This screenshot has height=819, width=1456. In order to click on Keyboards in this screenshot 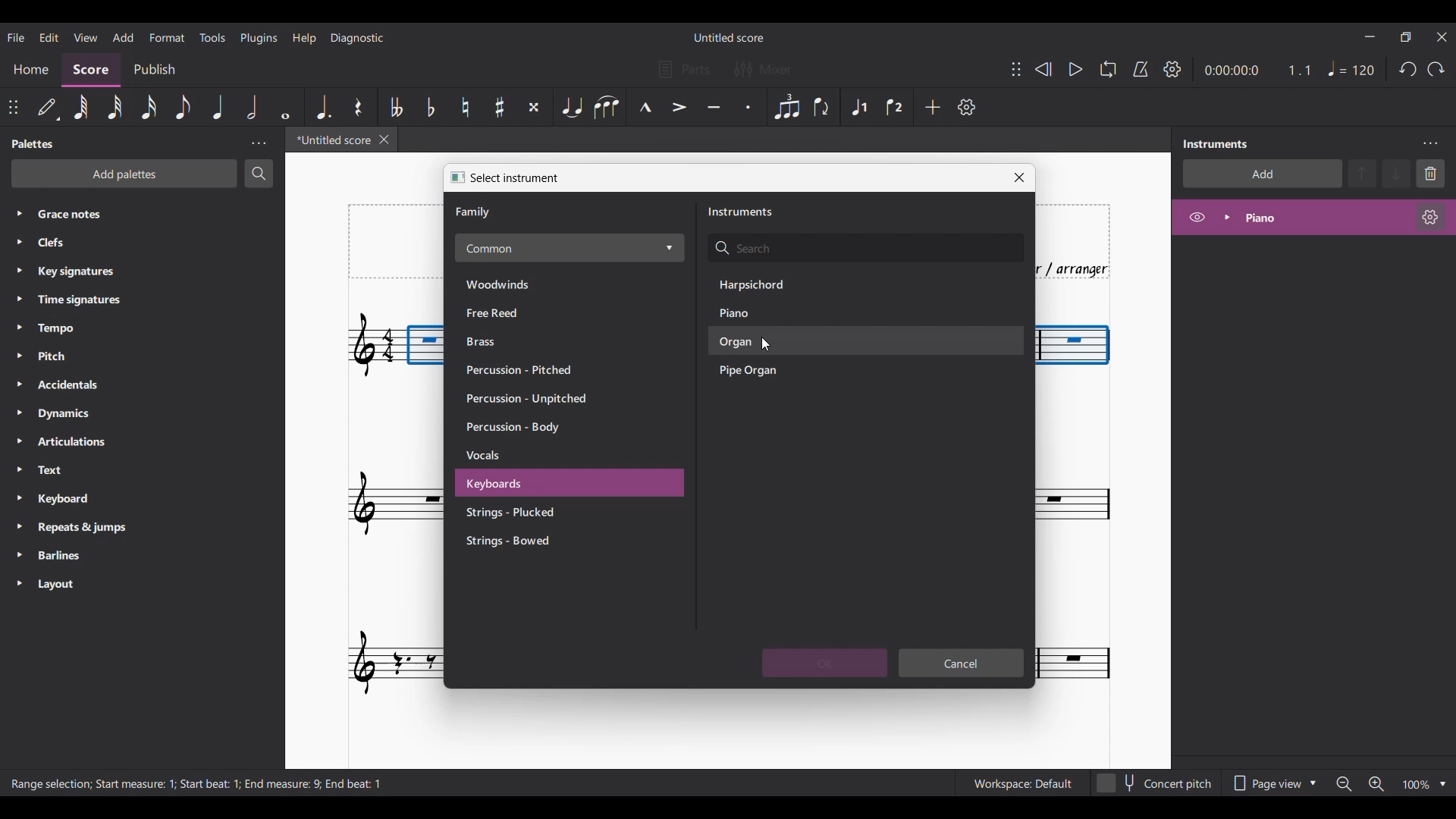, I will do `click(529, 485)`.